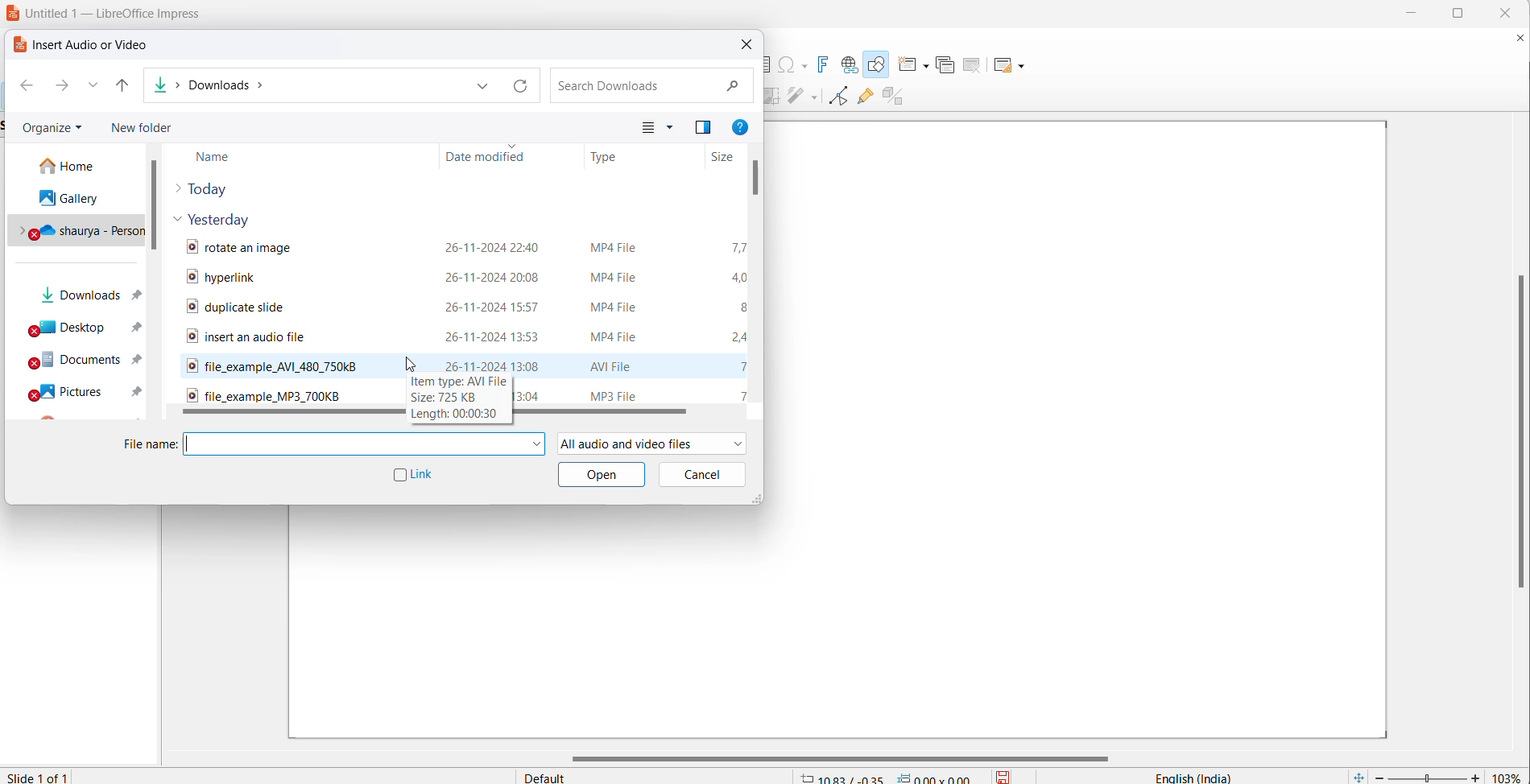 The width and height of the screenshot is (1530, 784). What do you see at coordinates (889, 774) in the screenshot?
I see `cursor and selection coordinates` at bounding box center [889, 774].